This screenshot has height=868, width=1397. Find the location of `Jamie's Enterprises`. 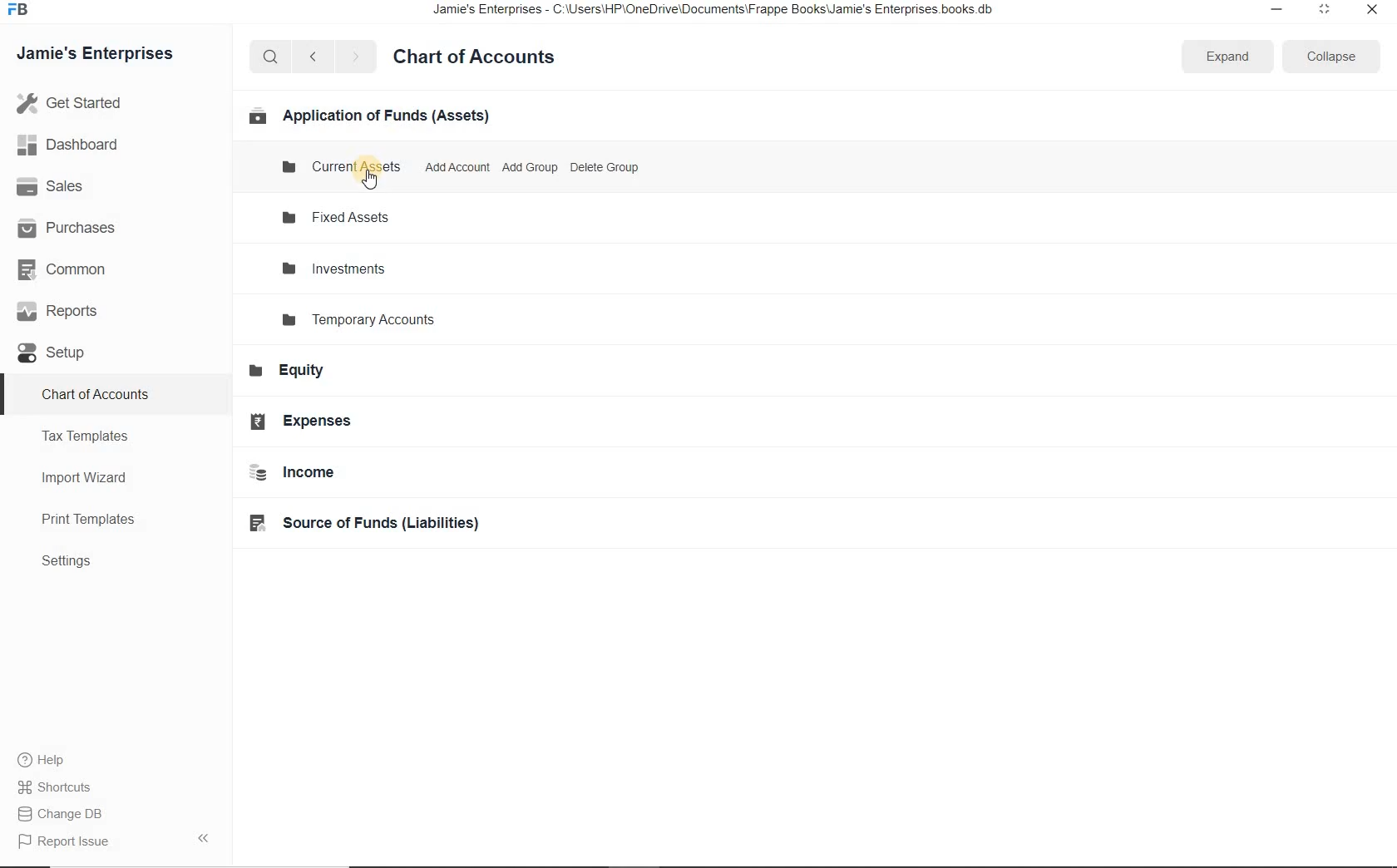

Jamie's Enterprises is located at coordinates (101, 55).